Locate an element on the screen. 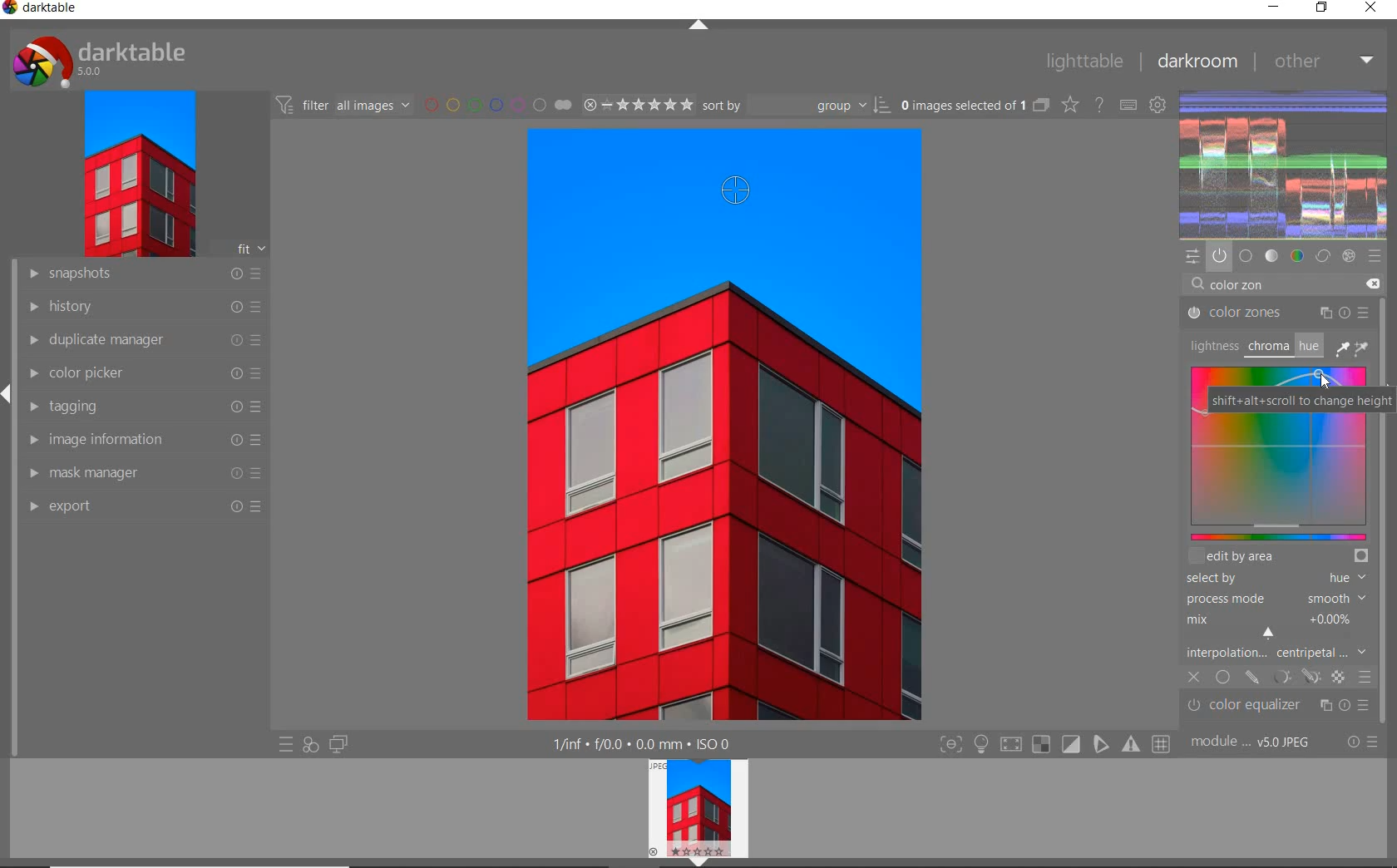  PICKER TOOLS is located at coordinates (1354, 348).